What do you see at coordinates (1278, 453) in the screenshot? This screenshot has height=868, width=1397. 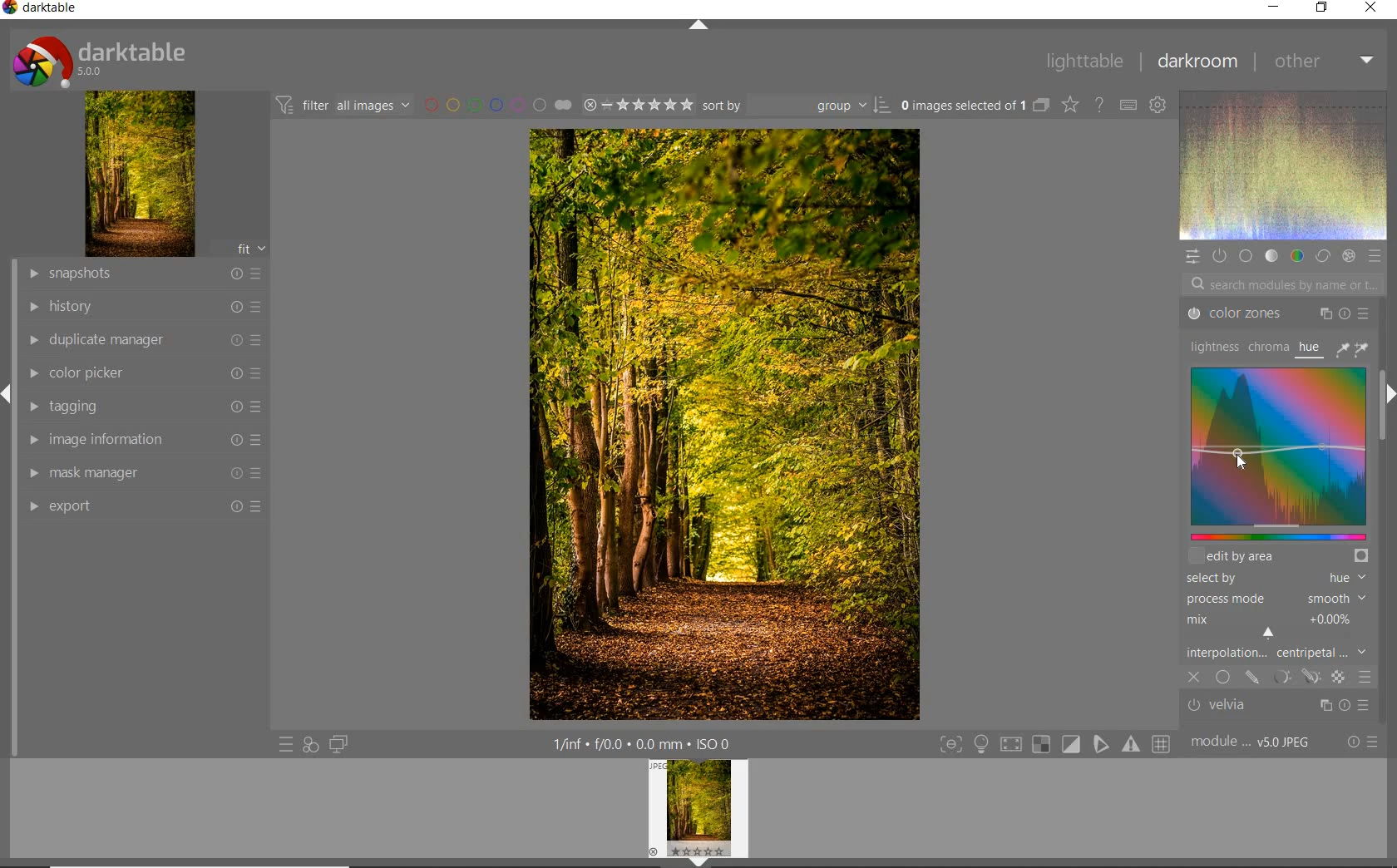 I see `color zones map` at bounding box center [1278, 453].